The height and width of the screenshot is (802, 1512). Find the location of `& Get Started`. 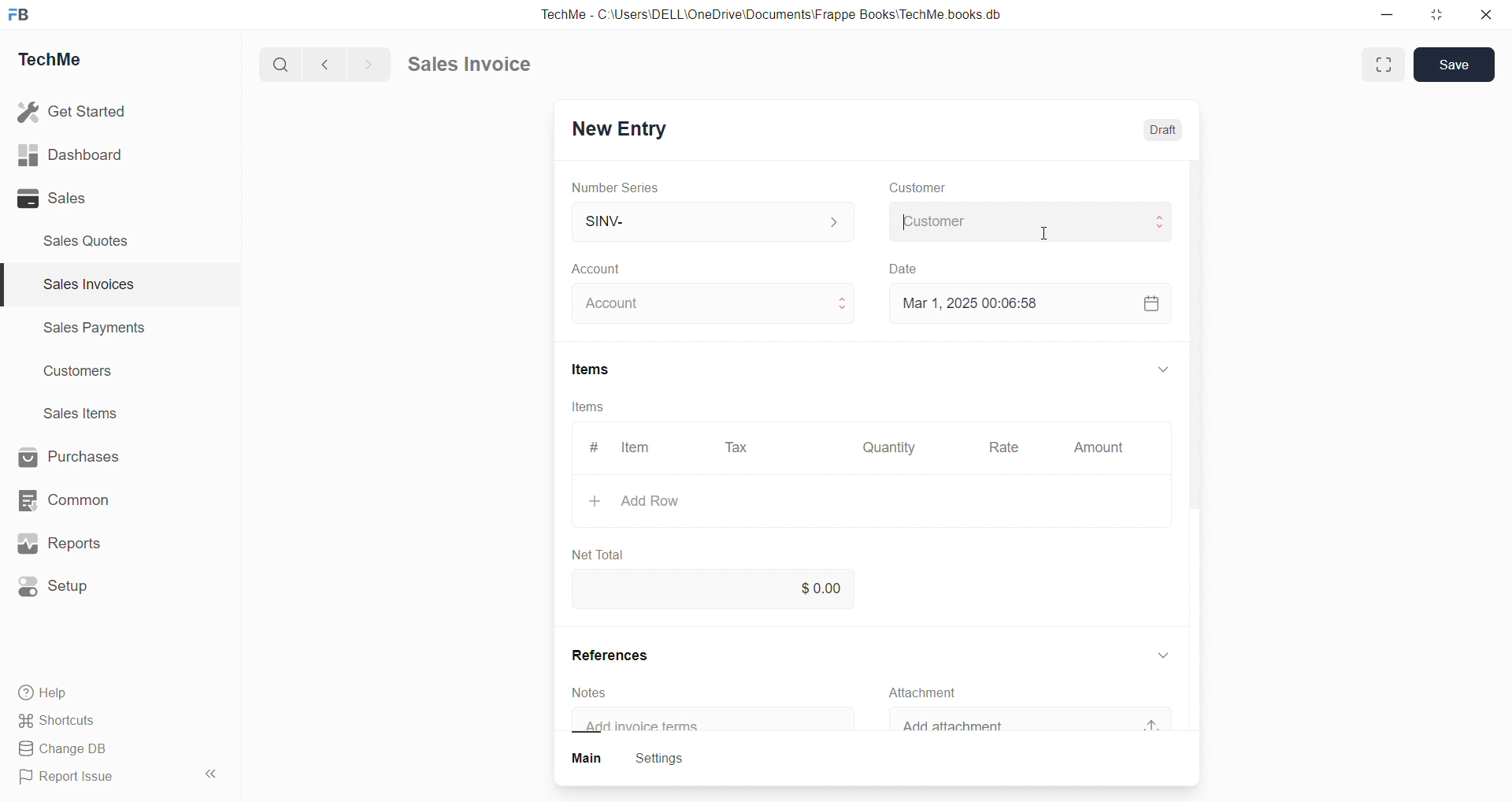

& Get Started is located at coordinates (74, 110).